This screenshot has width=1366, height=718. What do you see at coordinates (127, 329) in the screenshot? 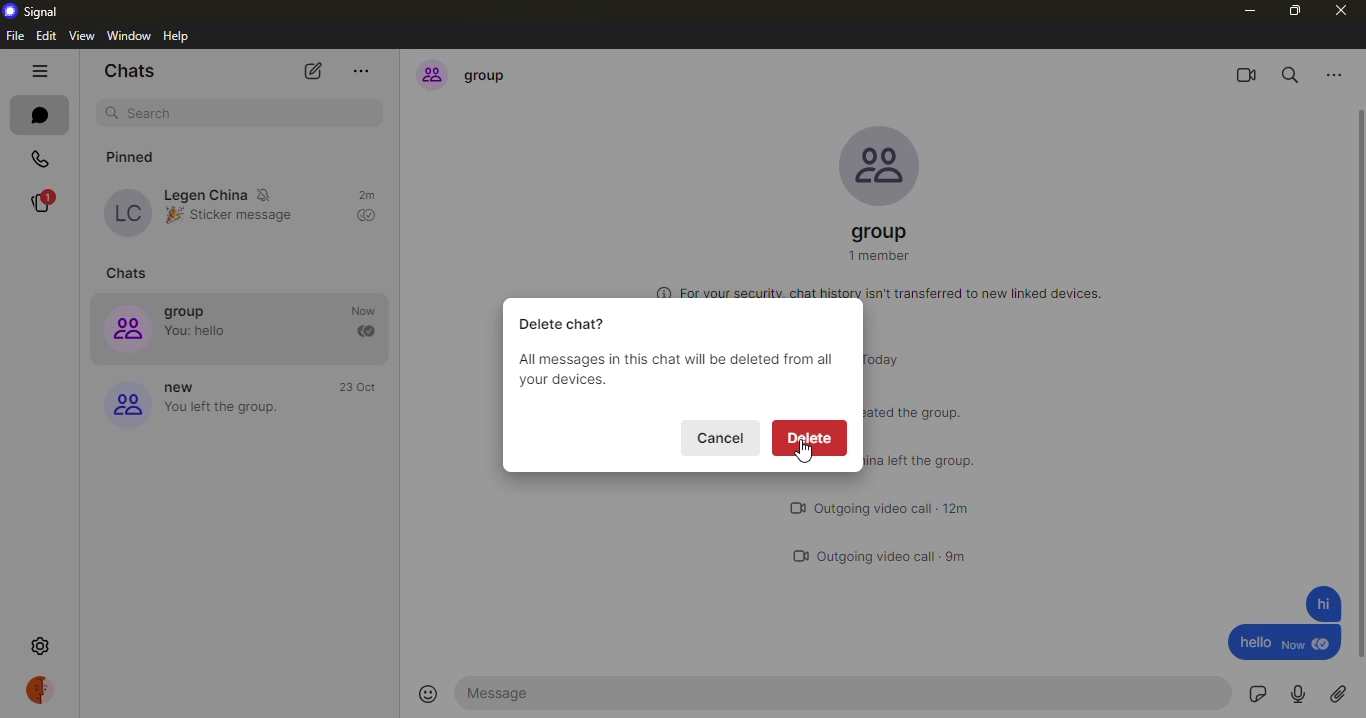
I see `profile icon` at bounding box center [127, 329].